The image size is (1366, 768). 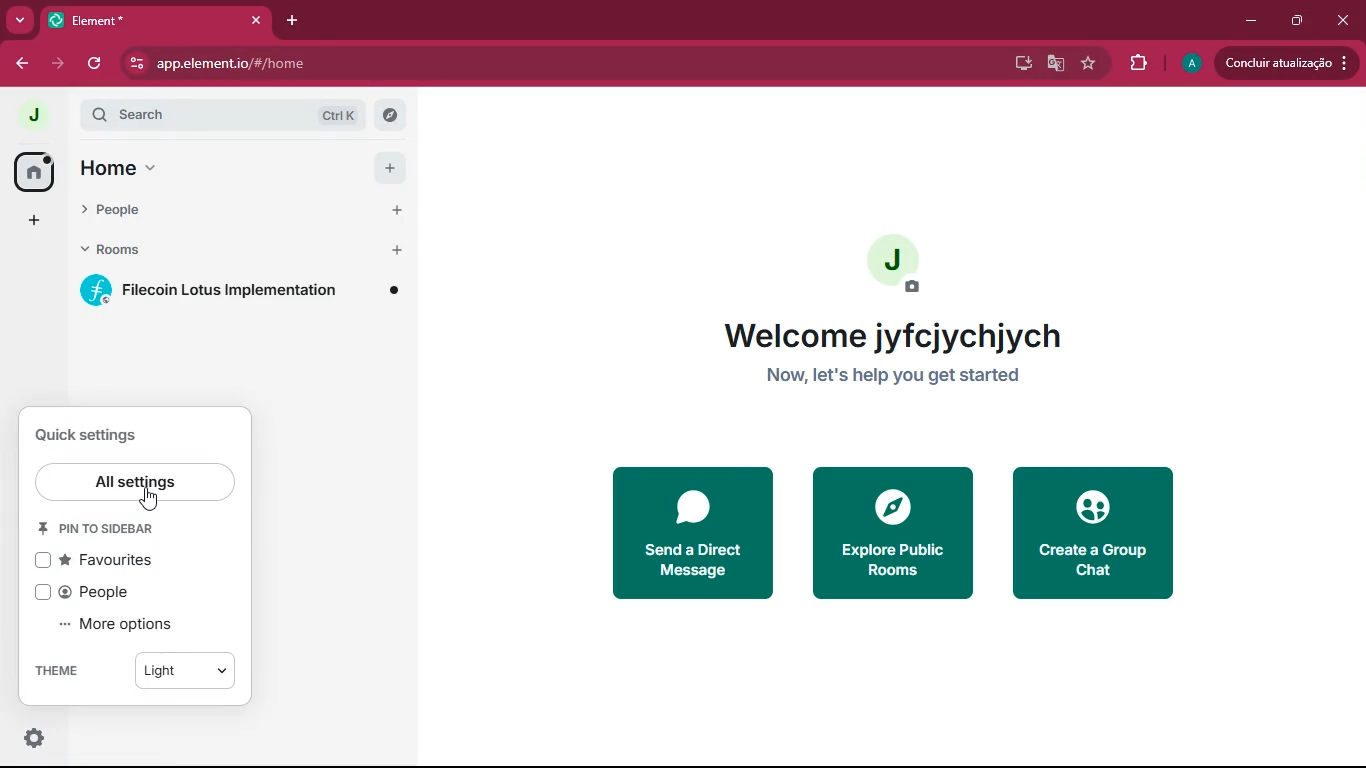 What do you see at coordinates (1021, 64) in the screenshot?
I see `desktop` at bounding box center [1021, 64].